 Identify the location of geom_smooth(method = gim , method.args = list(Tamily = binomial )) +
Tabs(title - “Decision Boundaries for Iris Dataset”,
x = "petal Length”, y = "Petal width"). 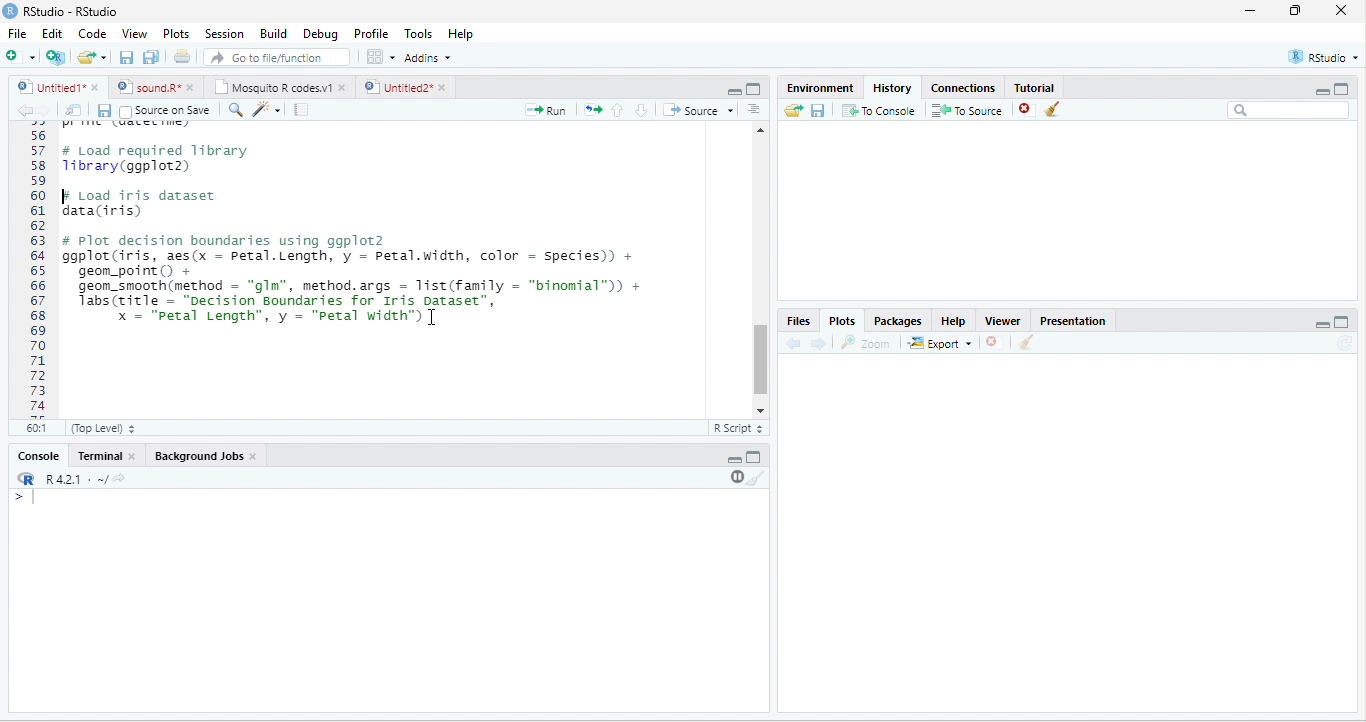
(368, 305).